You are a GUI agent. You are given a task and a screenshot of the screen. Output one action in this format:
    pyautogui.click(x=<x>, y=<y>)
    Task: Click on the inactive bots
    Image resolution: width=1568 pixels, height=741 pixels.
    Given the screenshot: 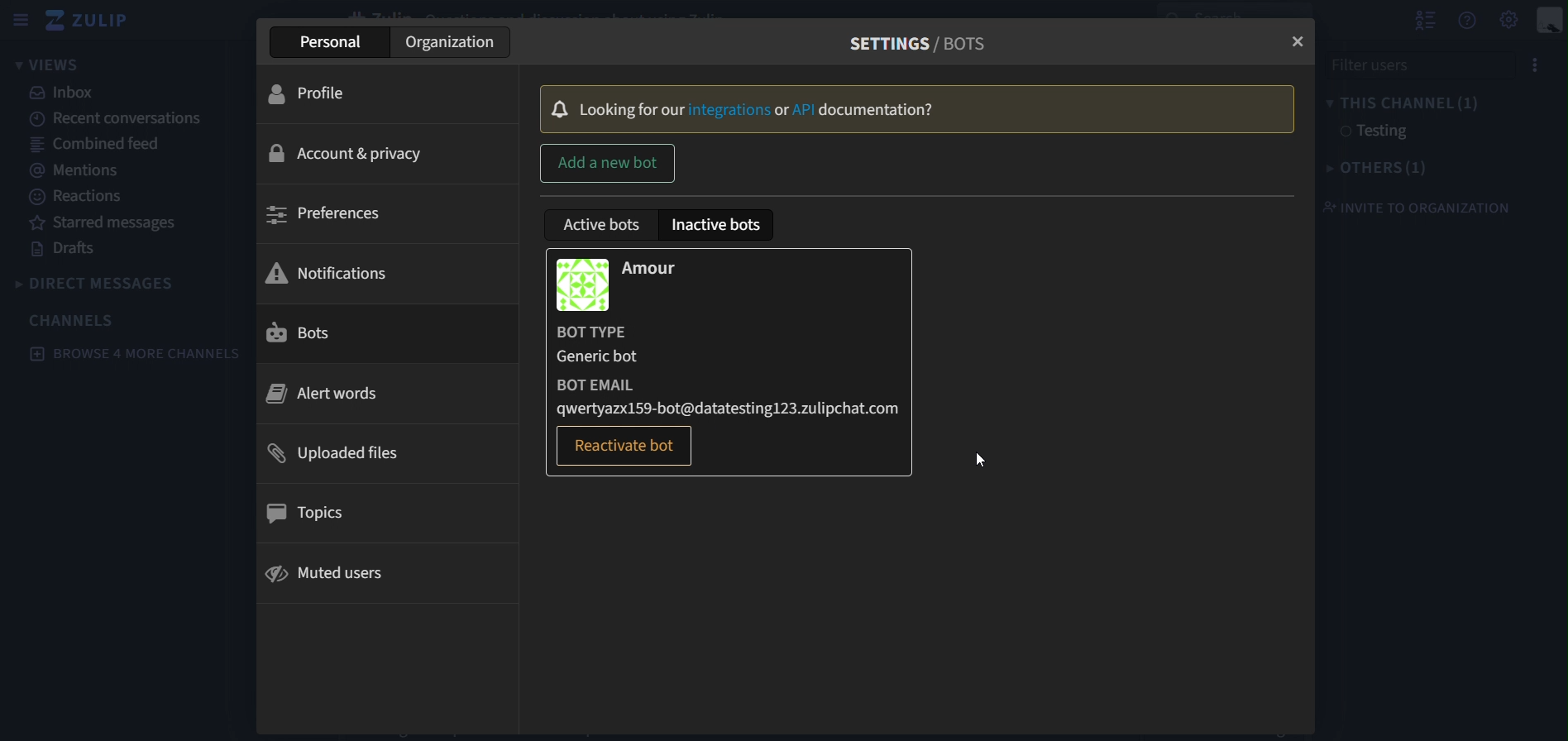 What is the action you would take?
    pyautogui.click(x=719, y=225)
    